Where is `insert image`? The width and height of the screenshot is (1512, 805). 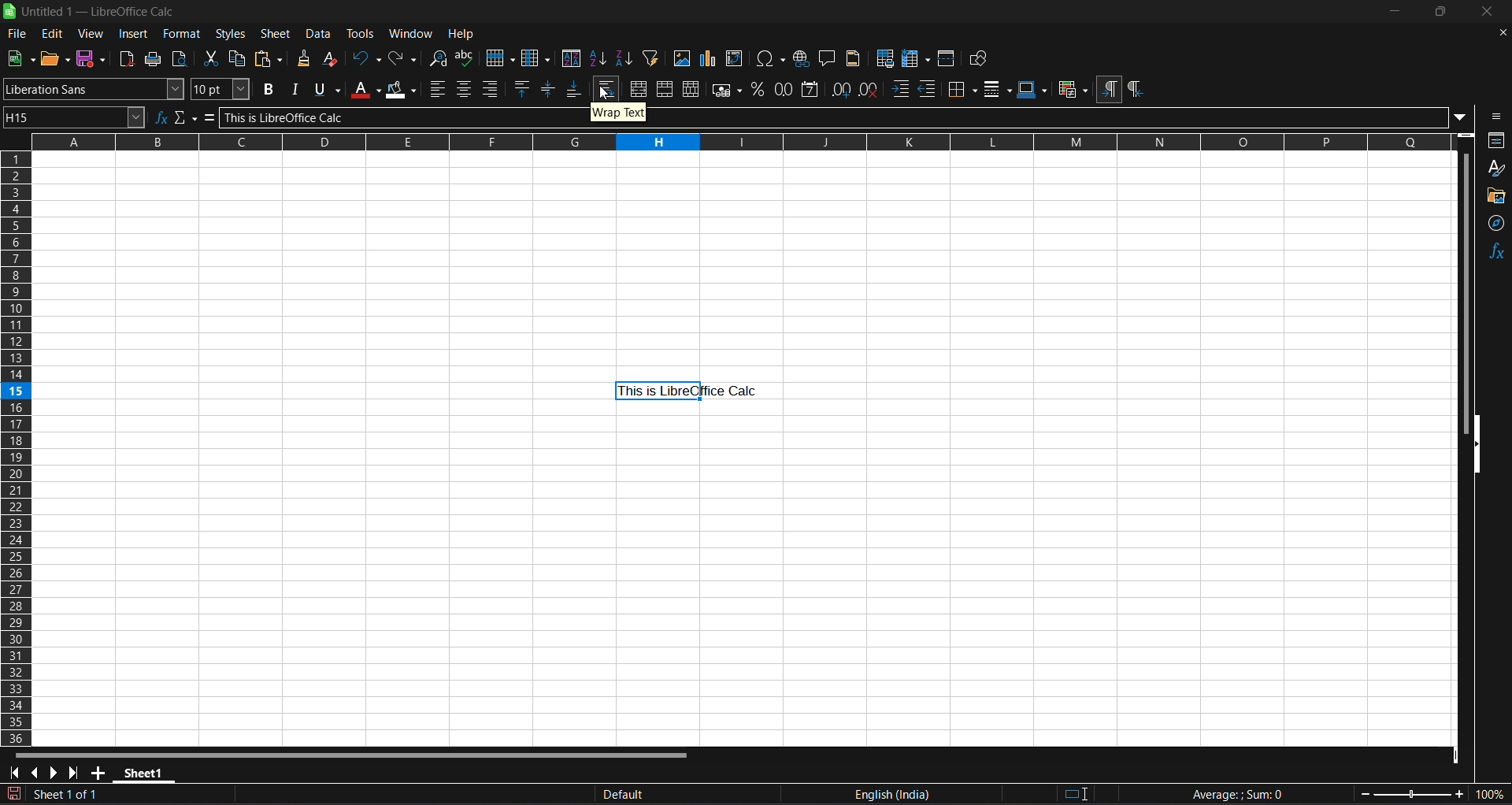
insert image is located at coordinates (683, 57).